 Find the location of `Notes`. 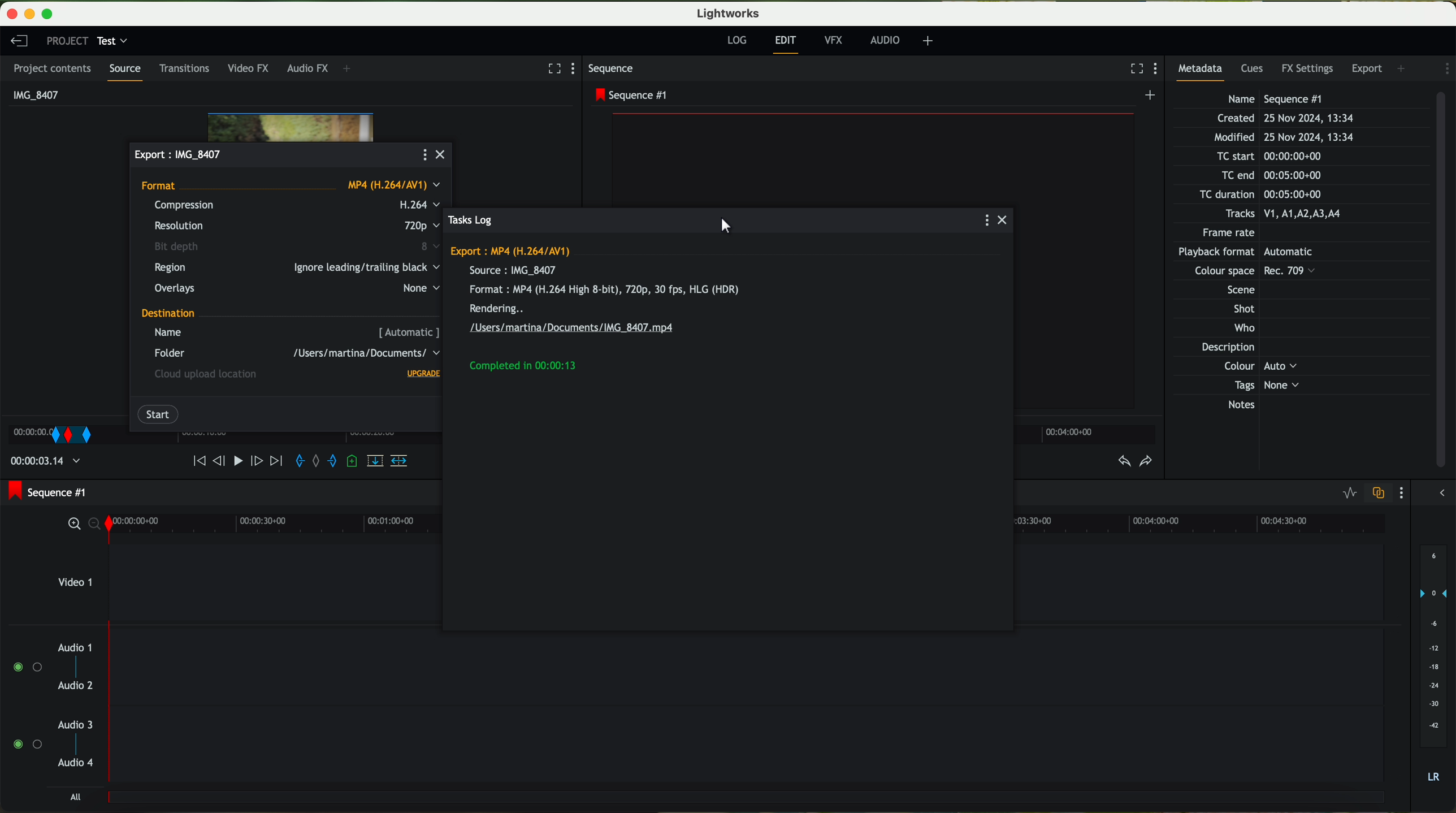

Notes is located at coordinates (1255, 405).